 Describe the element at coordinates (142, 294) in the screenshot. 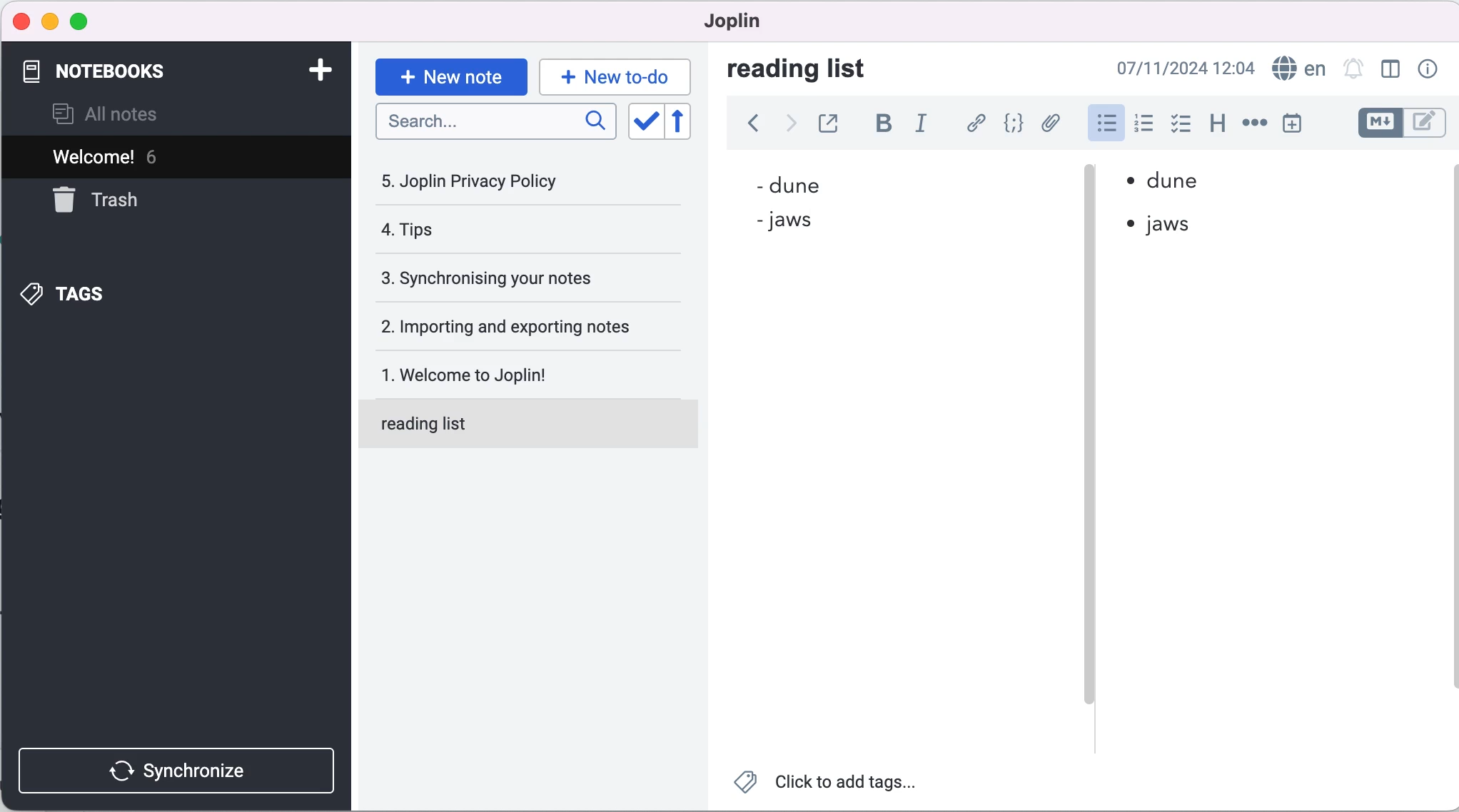

I see `tags` at that location.